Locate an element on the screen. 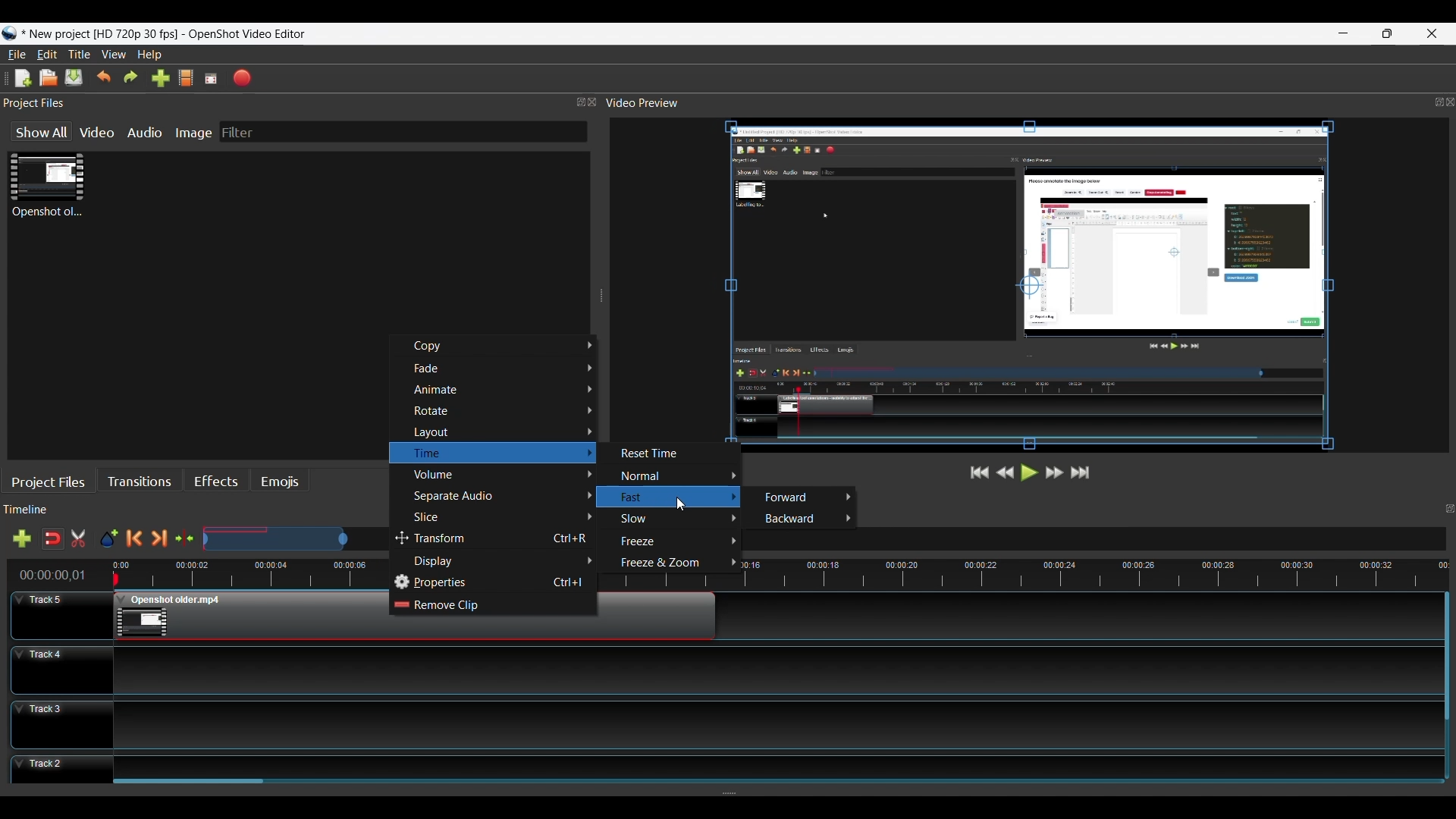 This screenshot has height=819, width=1456. Clip is located at coordinates (46, 188).